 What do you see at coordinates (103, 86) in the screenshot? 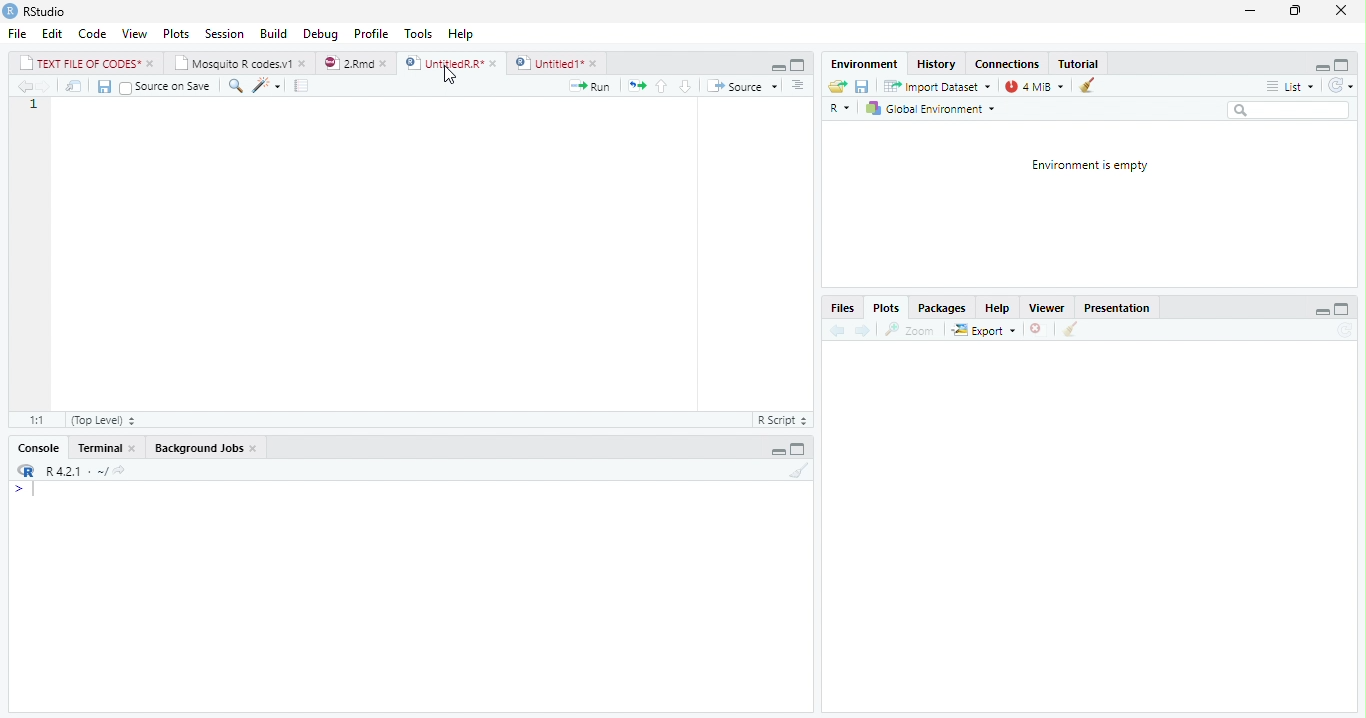
I see `save current document` at bounding box center [103, 86].